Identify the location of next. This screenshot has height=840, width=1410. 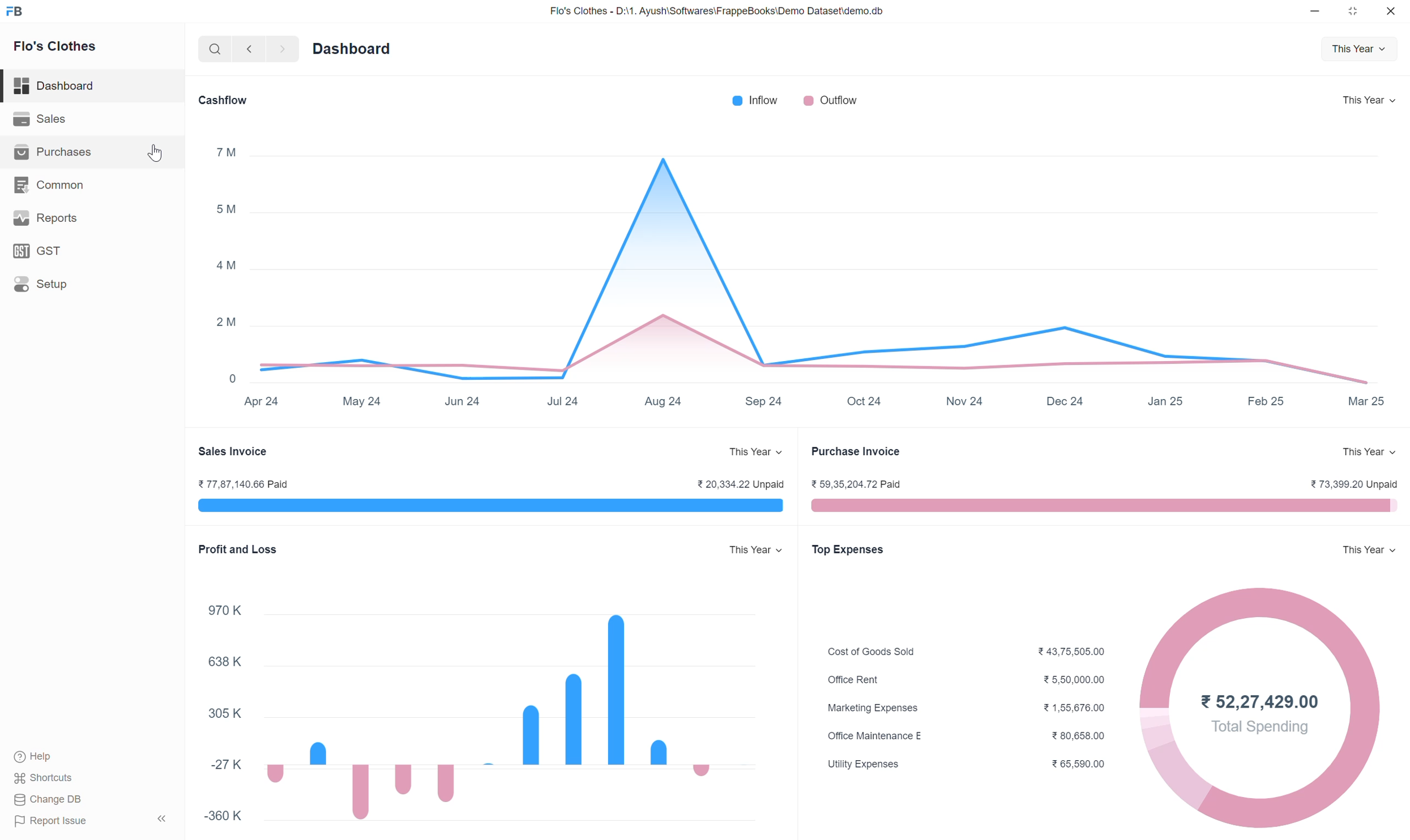
(247, 50).